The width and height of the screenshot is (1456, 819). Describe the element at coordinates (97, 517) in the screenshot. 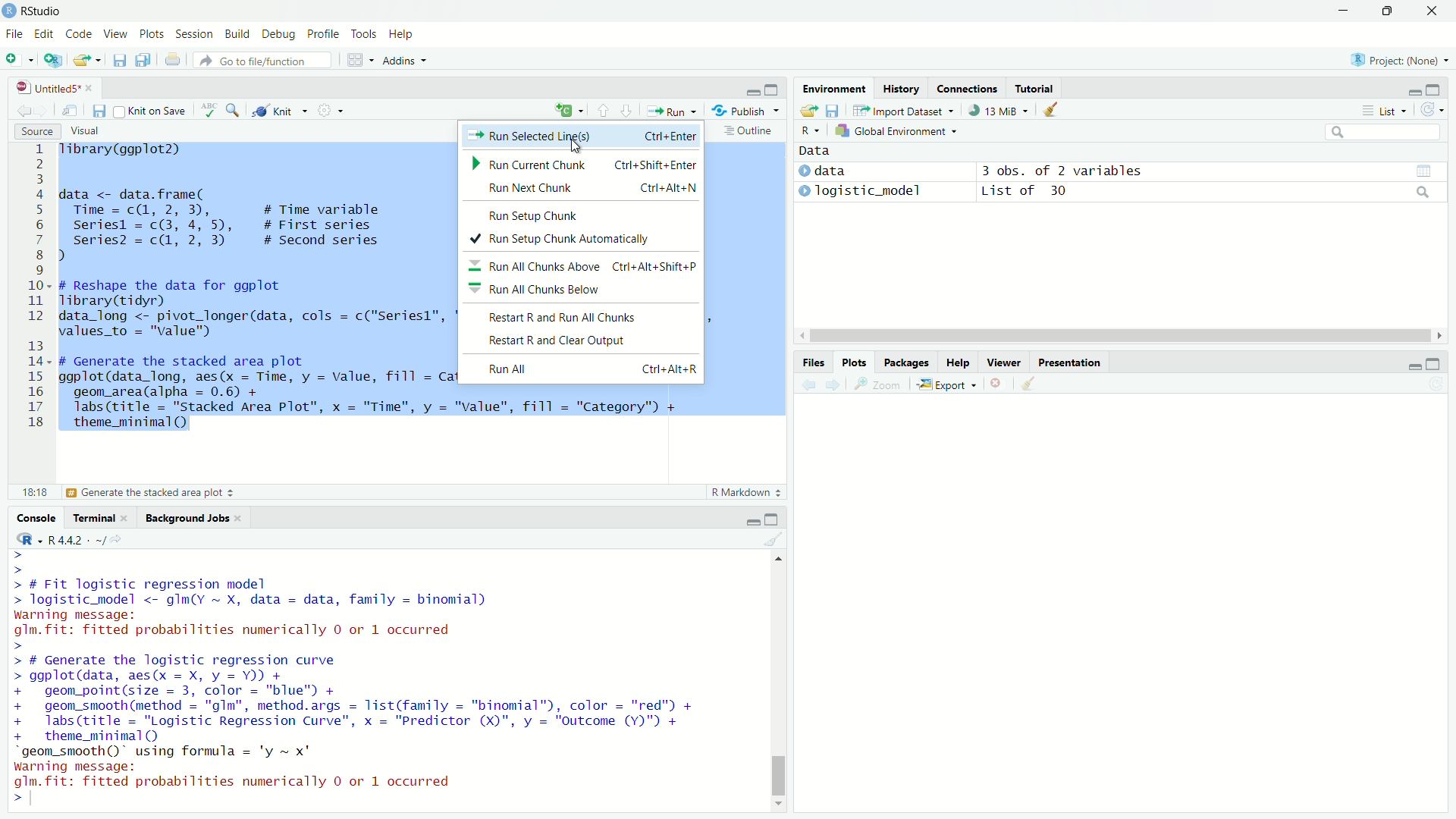

I see `Terminal` at that location.